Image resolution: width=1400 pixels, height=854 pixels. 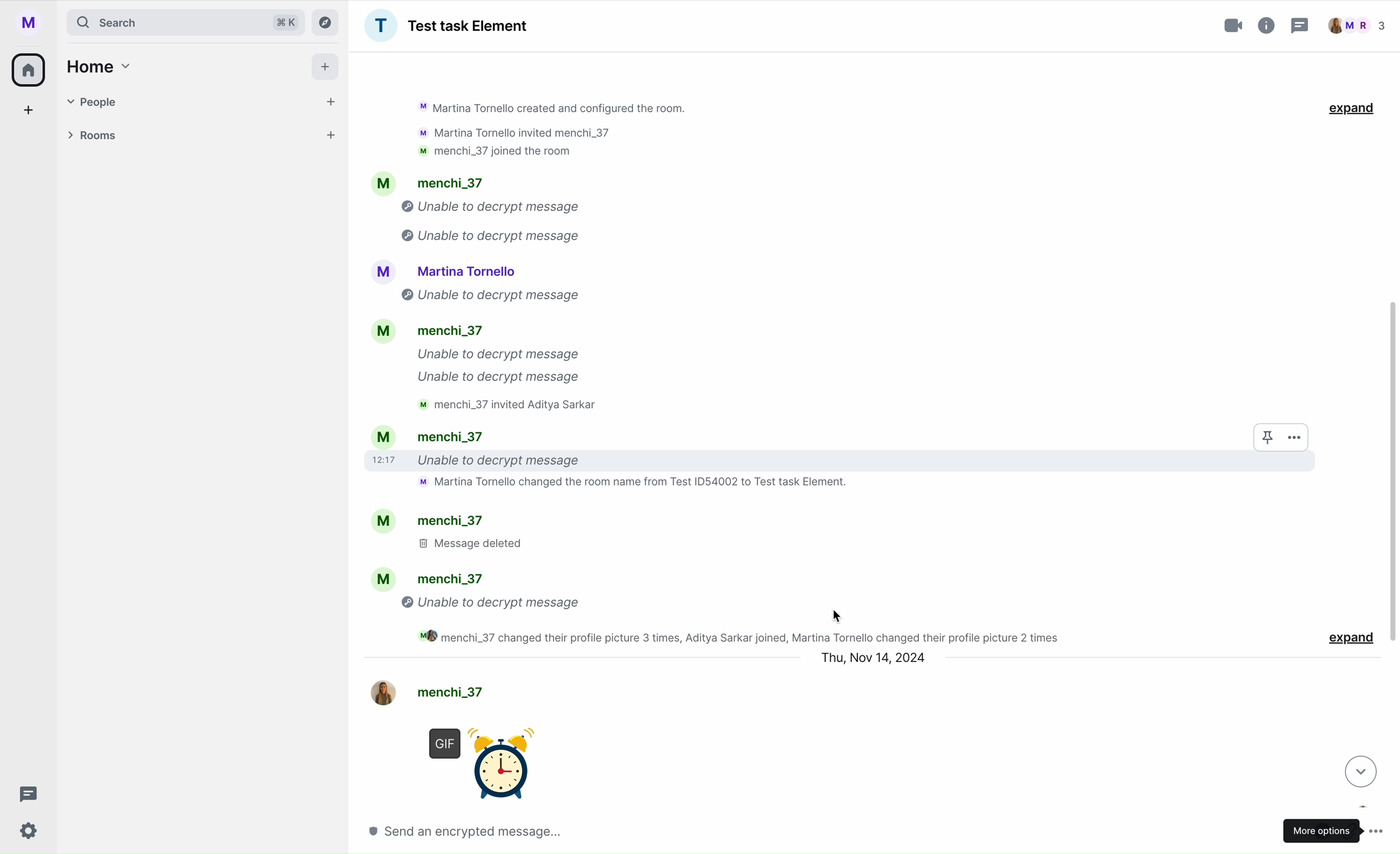 What do you see at coordinates (1352, 109) in the screenshot?
I see `expand` at bounding box center [1352, 109].